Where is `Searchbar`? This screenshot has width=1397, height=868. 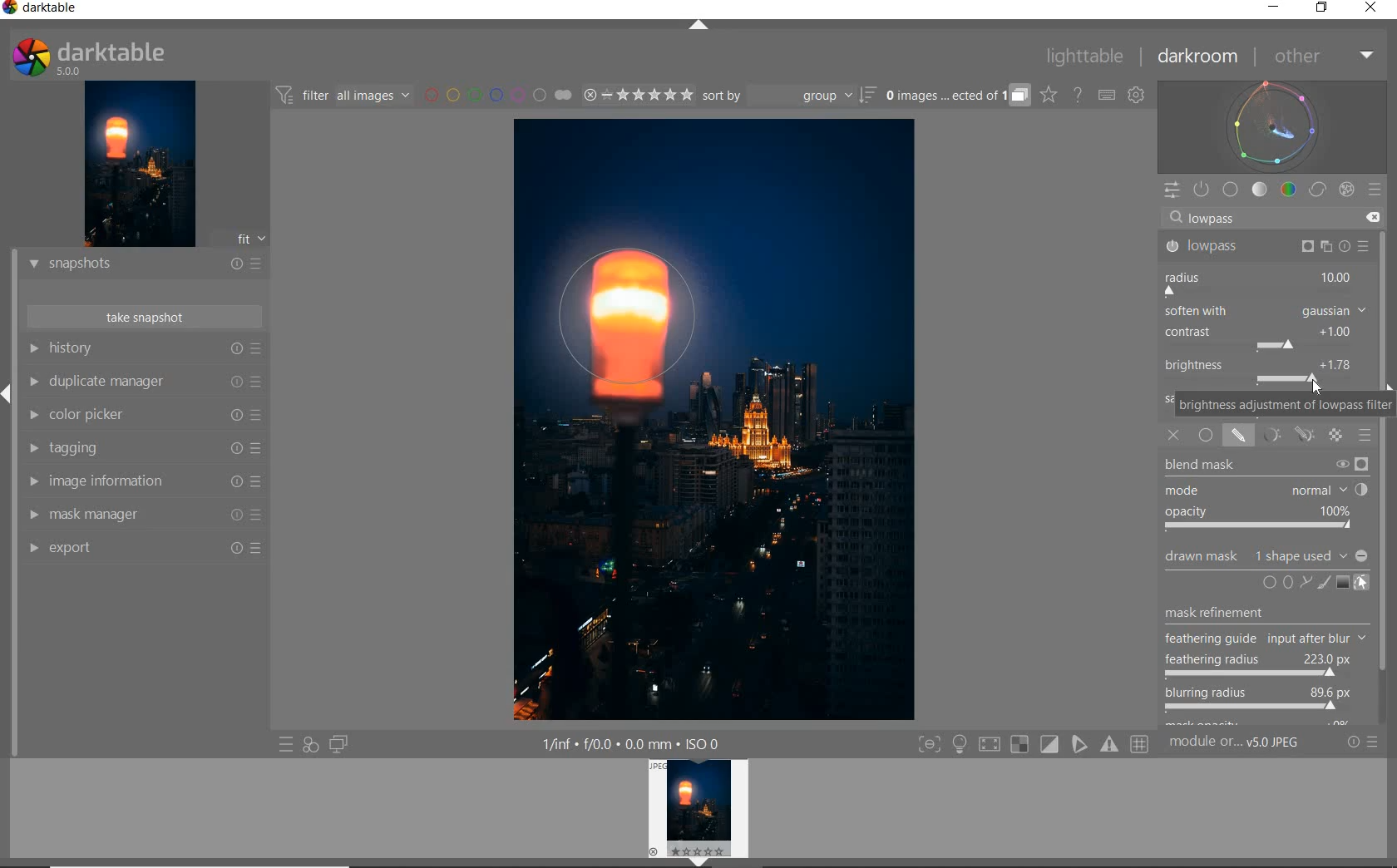
Searchbar is located at coordinates (1259, 217).